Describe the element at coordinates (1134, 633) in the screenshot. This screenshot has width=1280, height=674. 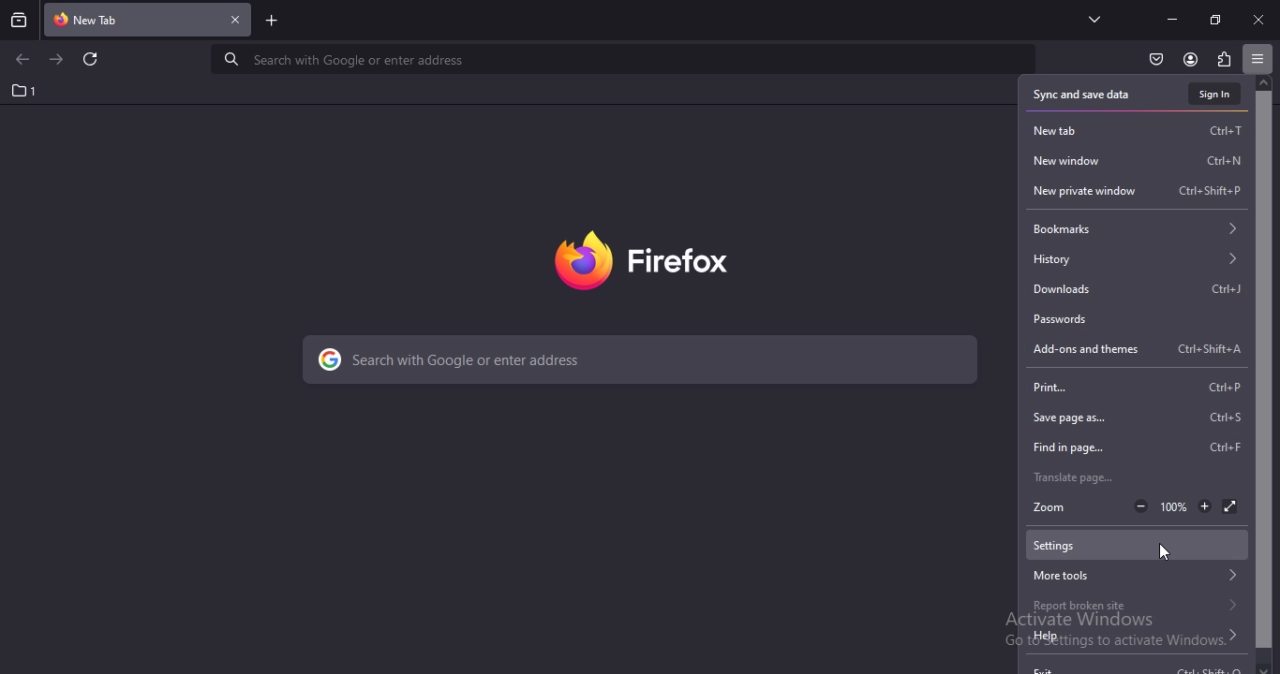
I see `help` at that location.